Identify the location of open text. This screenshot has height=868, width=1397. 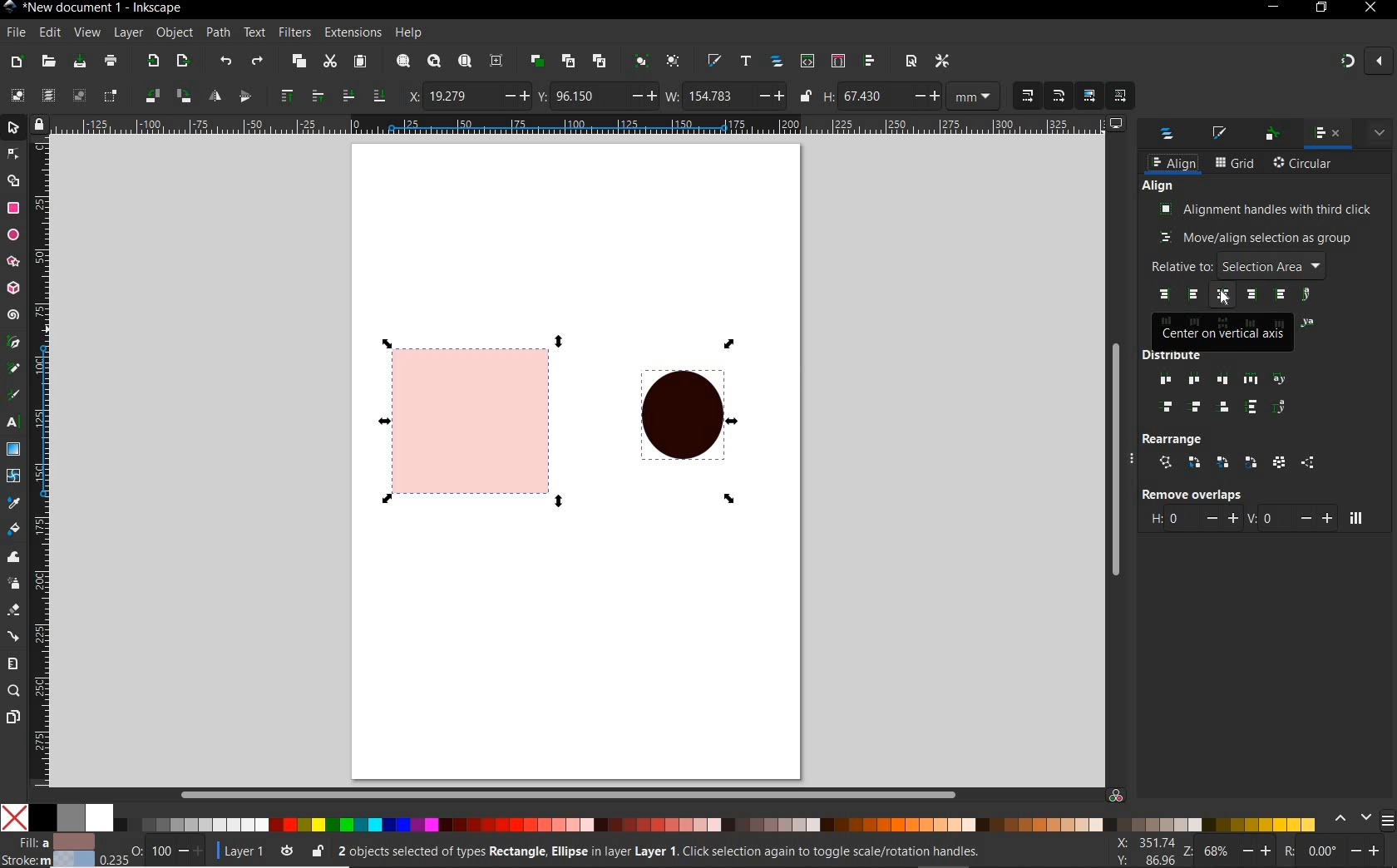
(747, 62).